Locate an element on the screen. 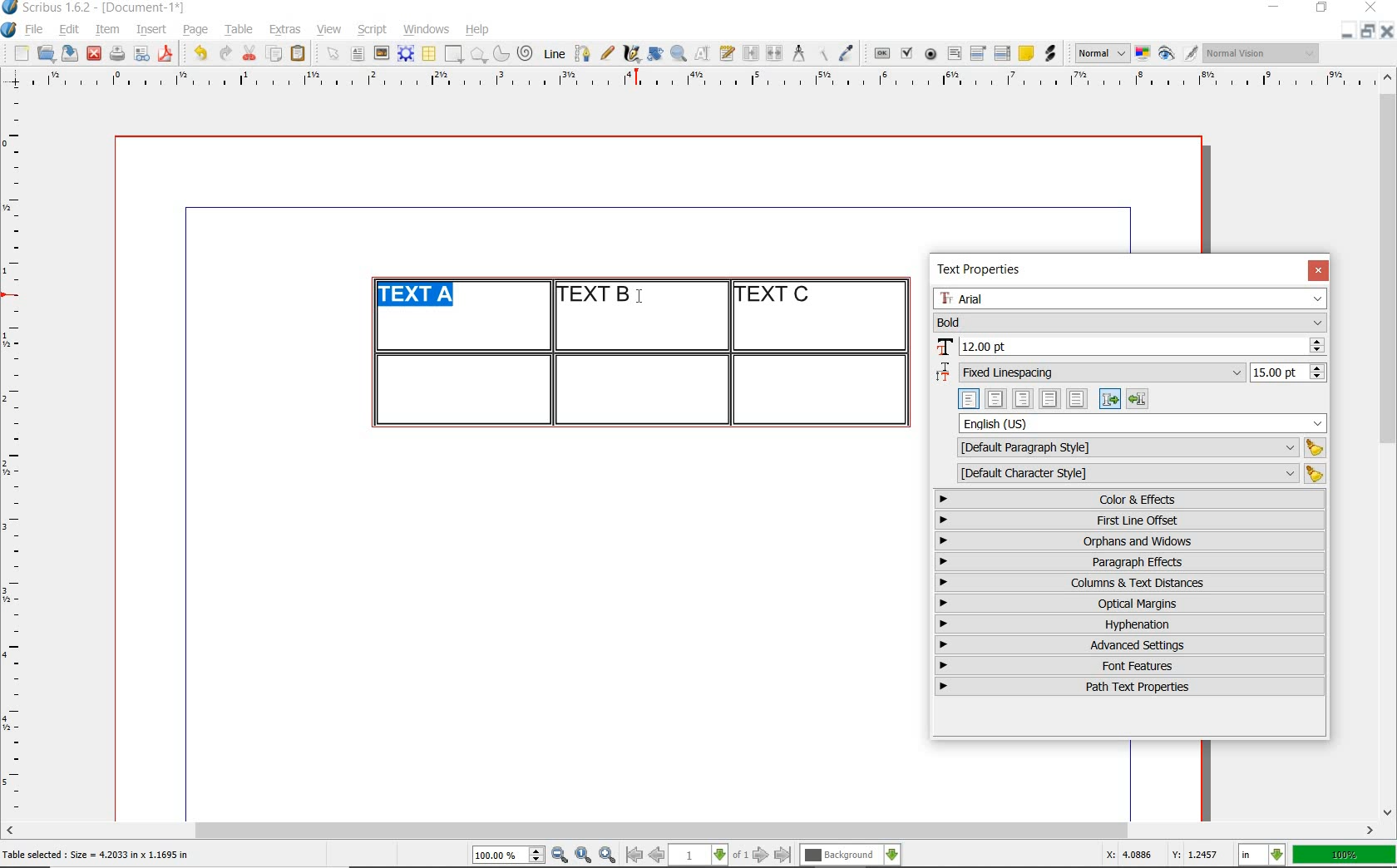 This screenshot has height=868, width=1397. undo is located at coordinates (200, 53).